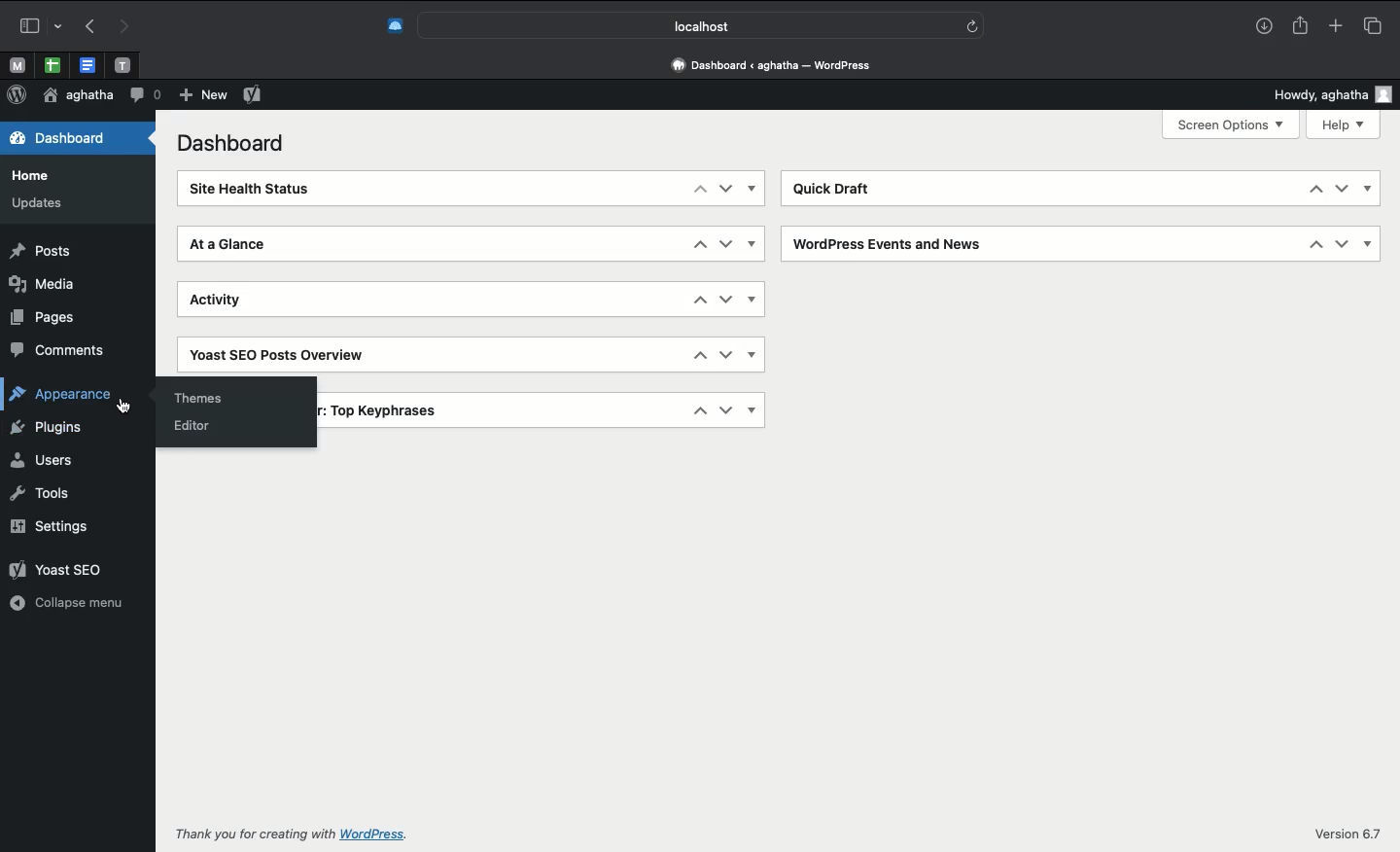  Describe the element at coordinates (1341, 189) in the screenshot. I see `Down` at that location.